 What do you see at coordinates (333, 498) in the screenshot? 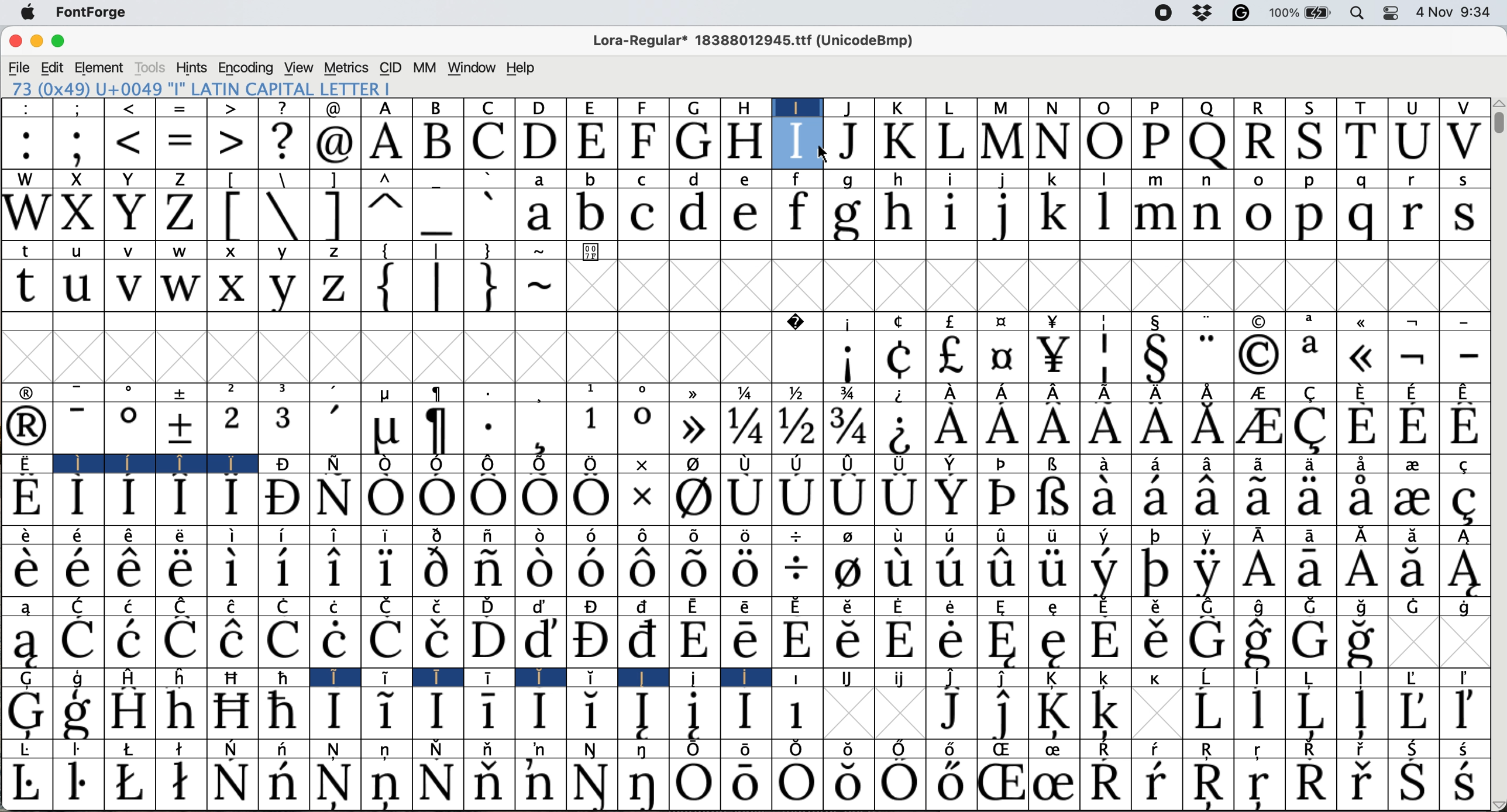
I see `Symbol` at bounding box center [333, 498].